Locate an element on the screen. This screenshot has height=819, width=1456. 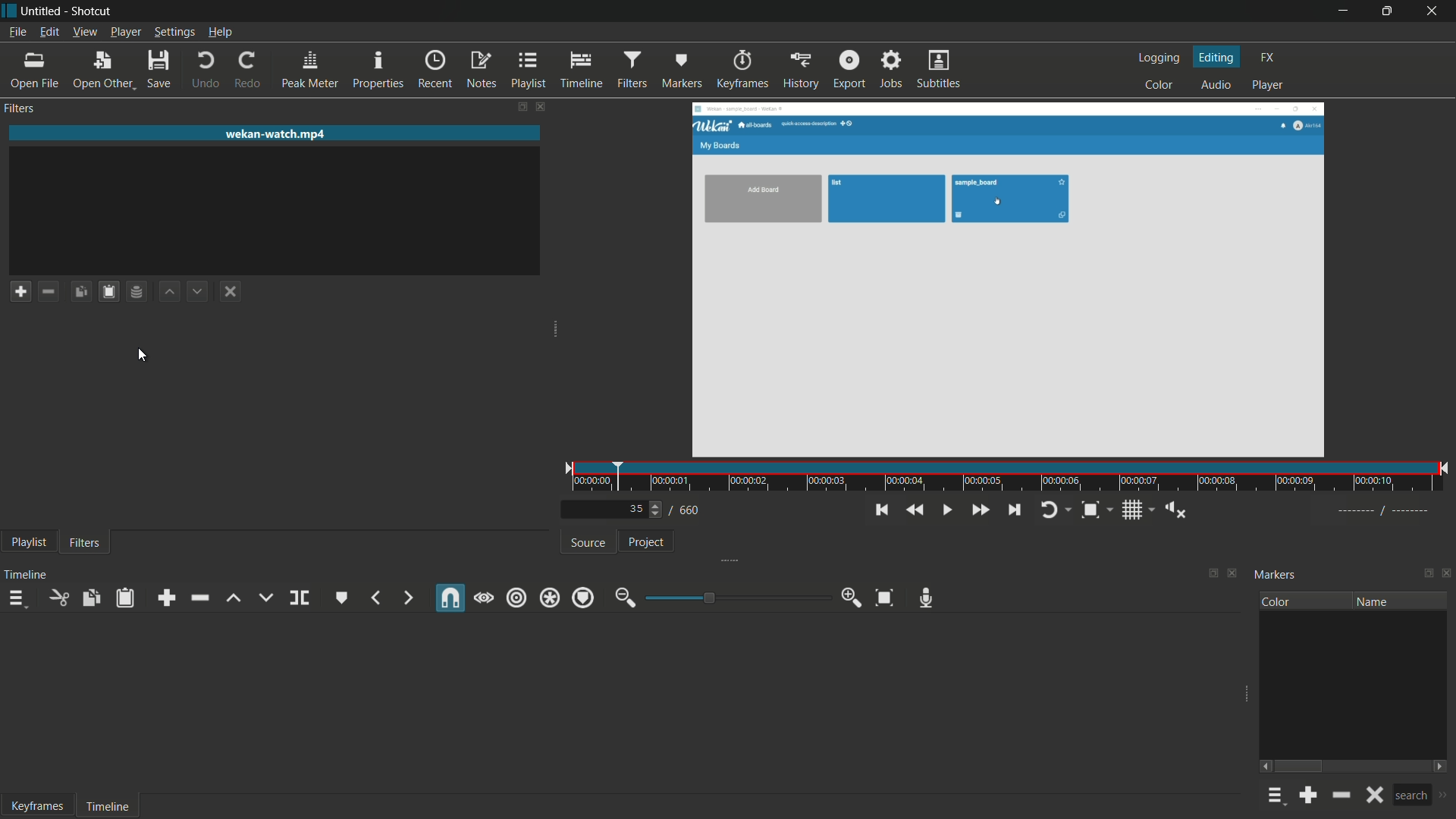
total frames is located at coordinates (691, 510).